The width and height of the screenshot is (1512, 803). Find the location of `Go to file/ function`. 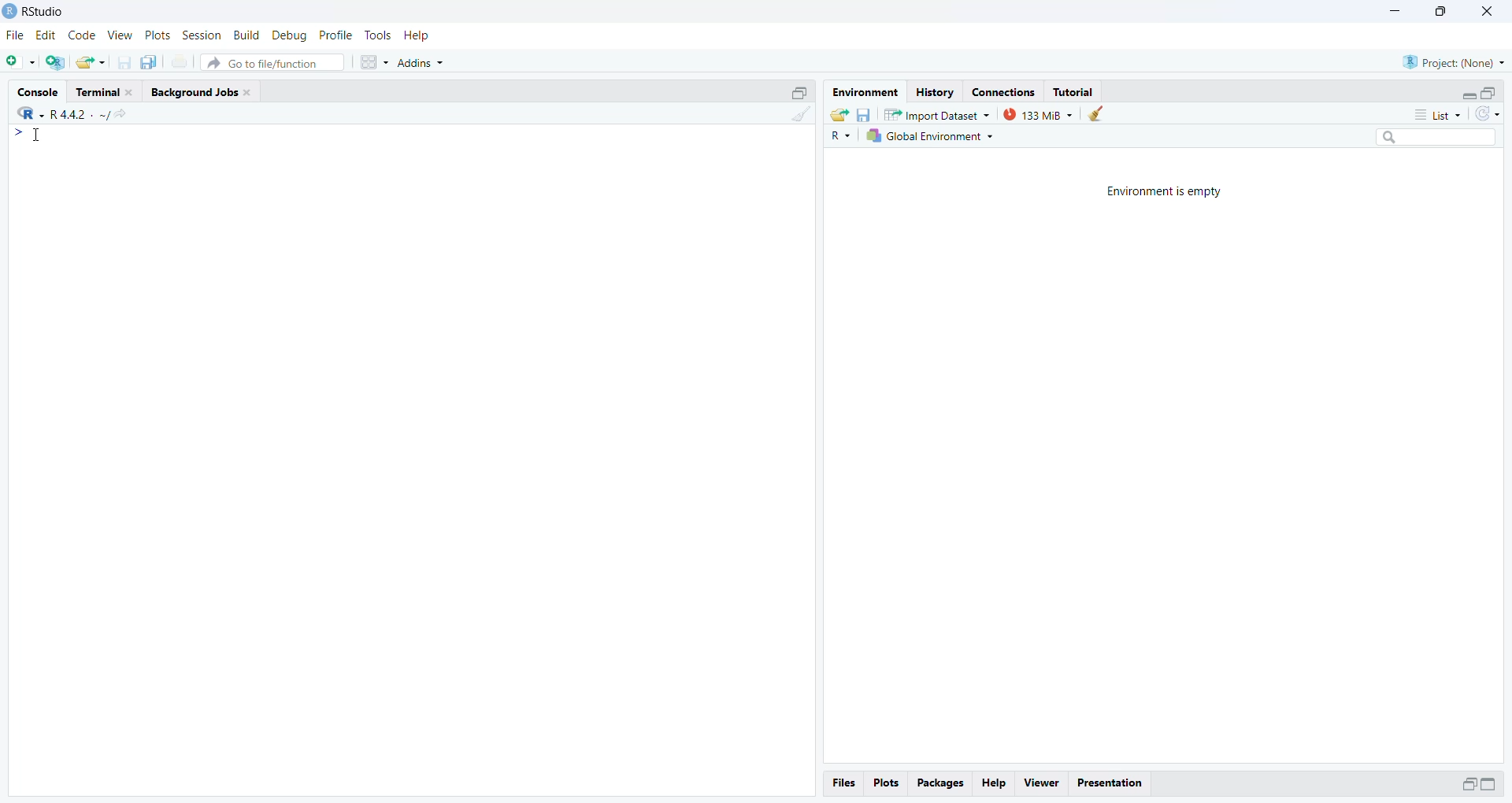

Go to file/ function is located at coordinates (270, 64).